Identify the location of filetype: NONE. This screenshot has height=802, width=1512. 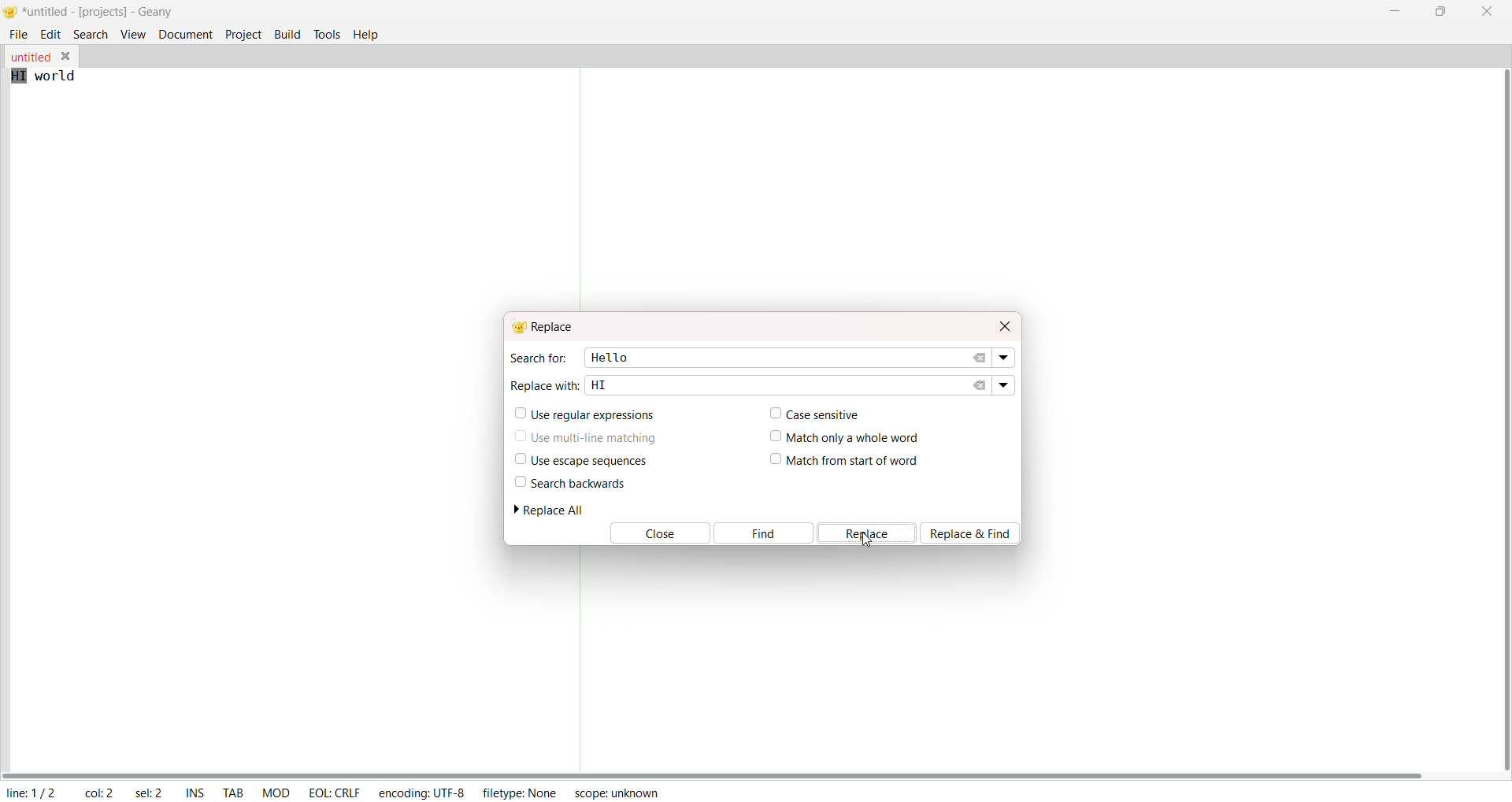
(520, 792).